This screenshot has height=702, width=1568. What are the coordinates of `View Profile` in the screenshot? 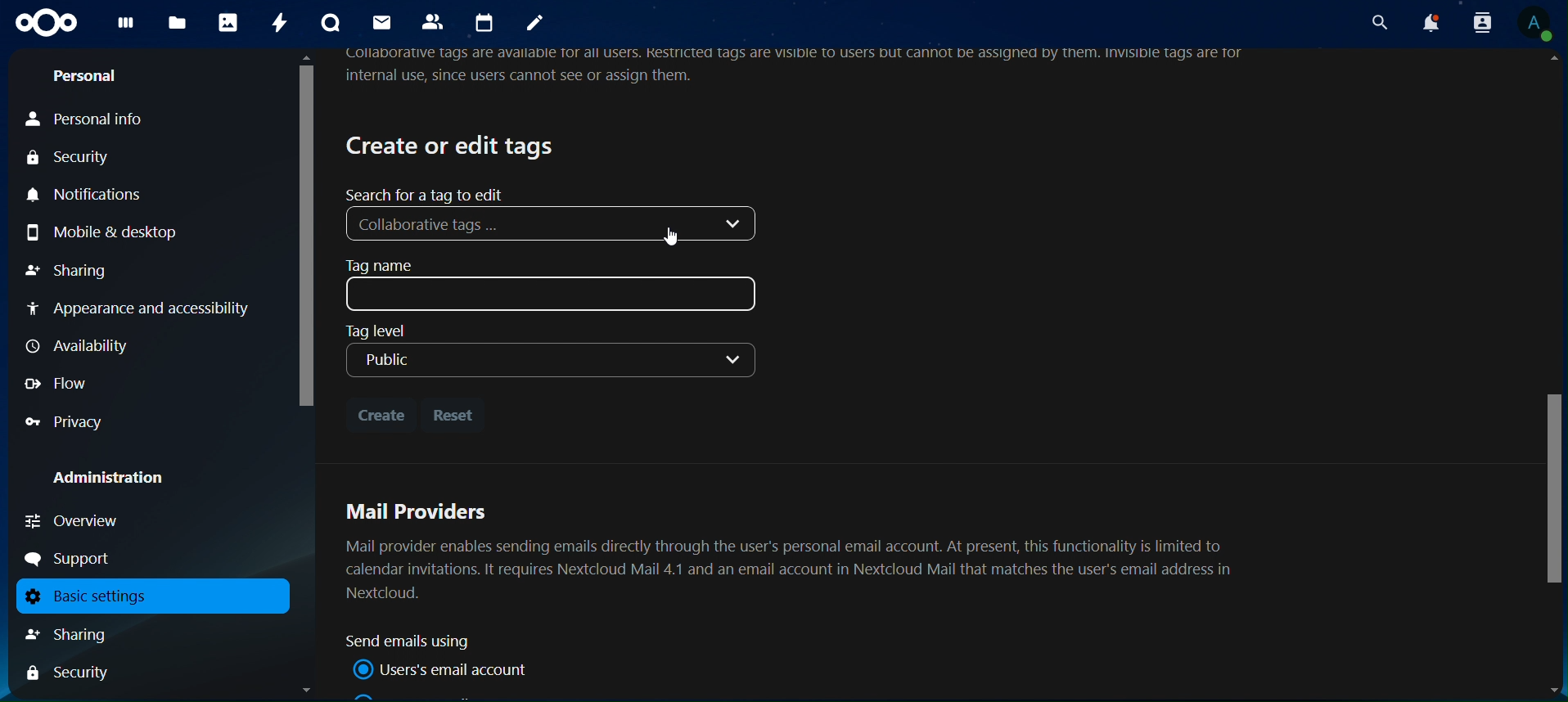 It's located at (1537, 25).